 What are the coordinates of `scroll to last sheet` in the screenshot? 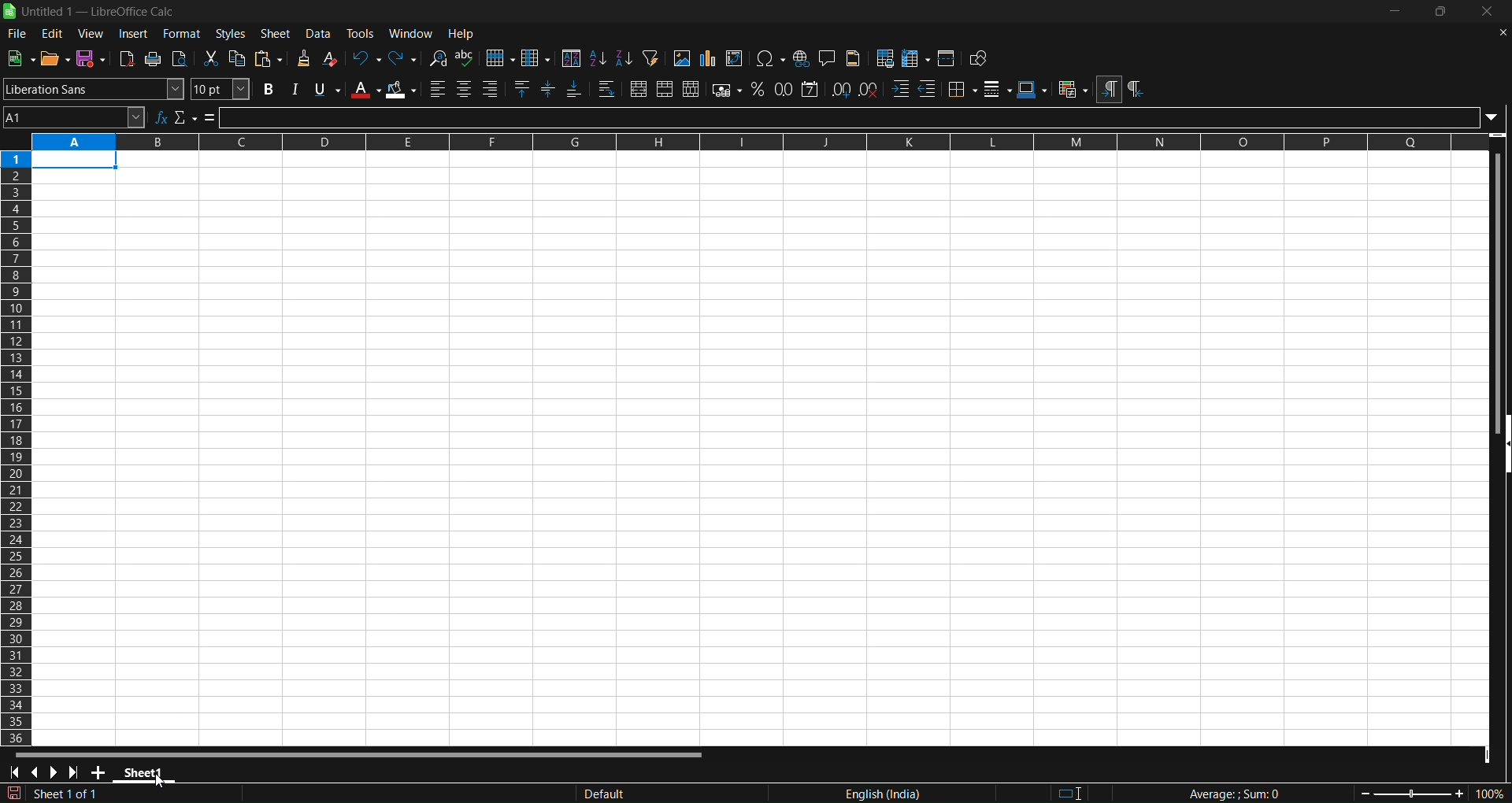 It's located at (77, 772).